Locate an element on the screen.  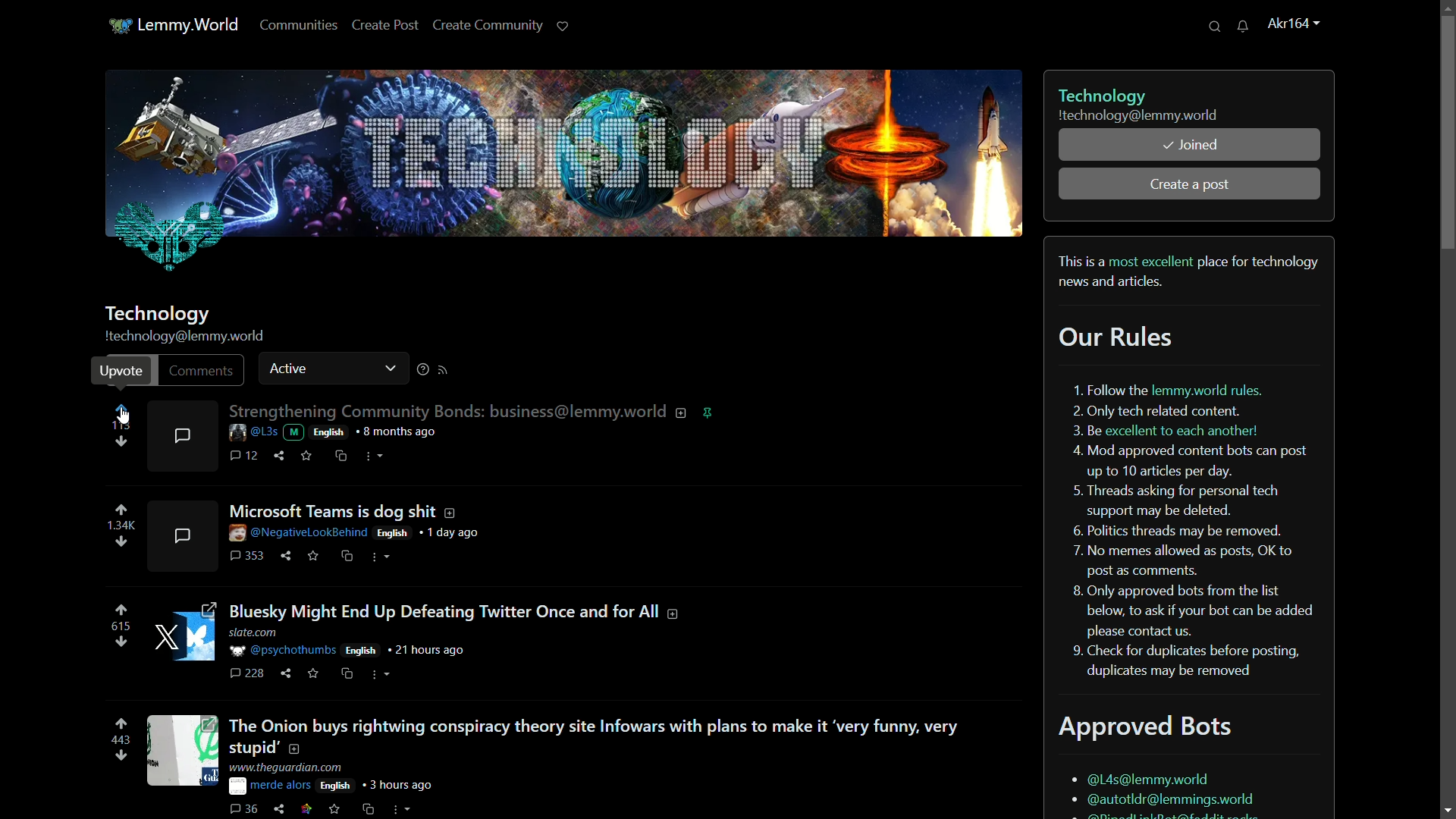
share is located at coordinates (281, 455).